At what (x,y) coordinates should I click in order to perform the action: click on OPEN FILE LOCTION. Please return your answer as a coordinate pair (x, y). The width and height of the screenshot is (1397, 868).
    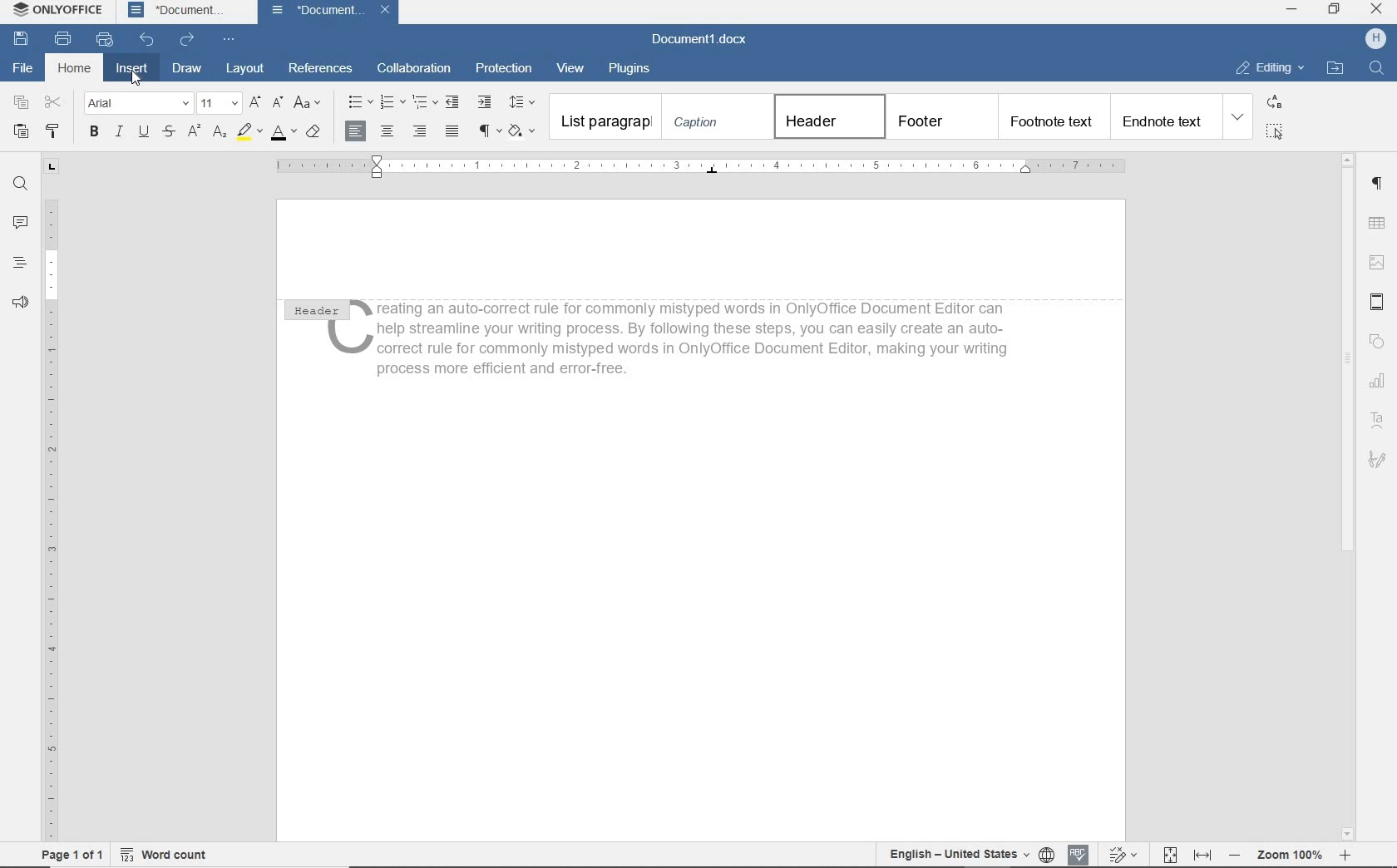
    Looking at the image, I should click on (1335, 69).